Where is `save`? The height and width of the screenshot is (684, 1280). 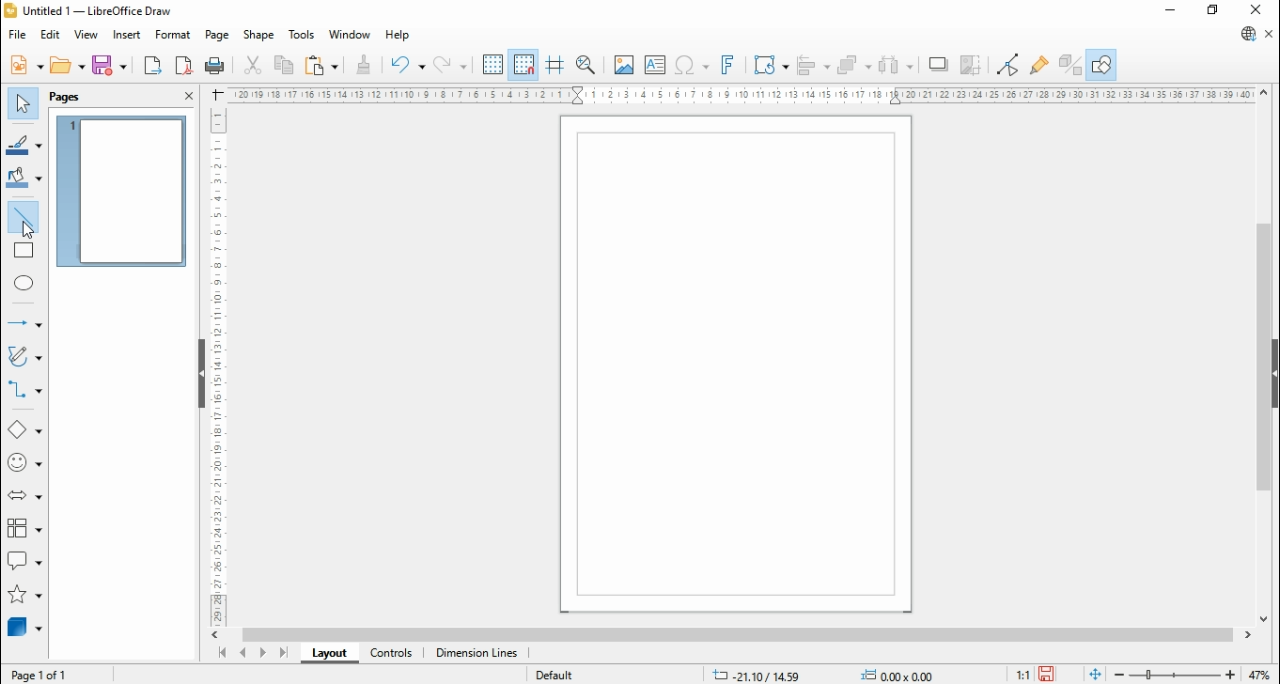
save is located at coordinates (111, 65).